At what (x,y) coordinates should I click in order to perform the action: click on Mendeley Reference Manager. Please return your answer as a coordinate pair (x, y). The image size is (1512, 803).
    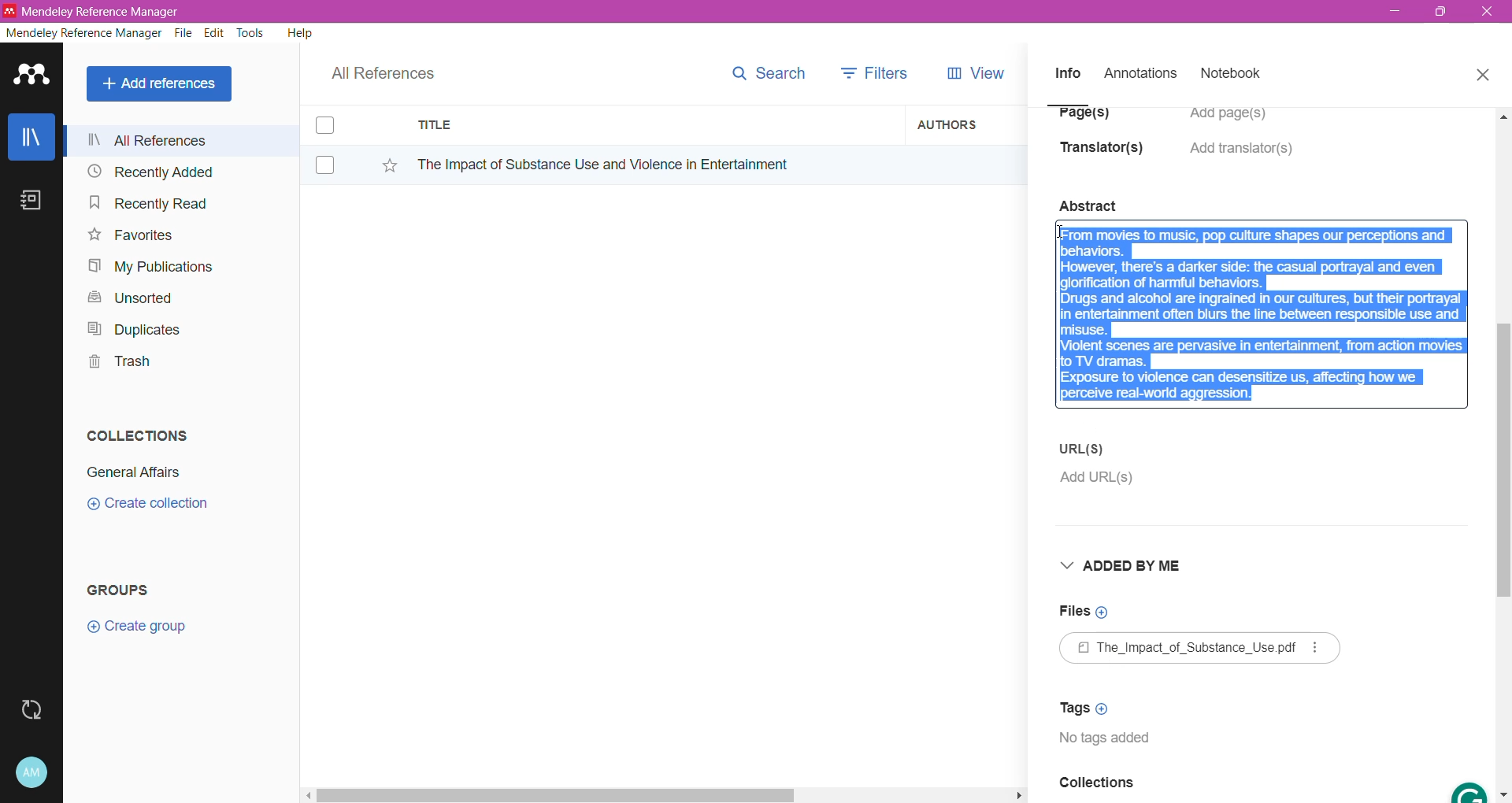
    Looking at the image, I should click on (84, 33).